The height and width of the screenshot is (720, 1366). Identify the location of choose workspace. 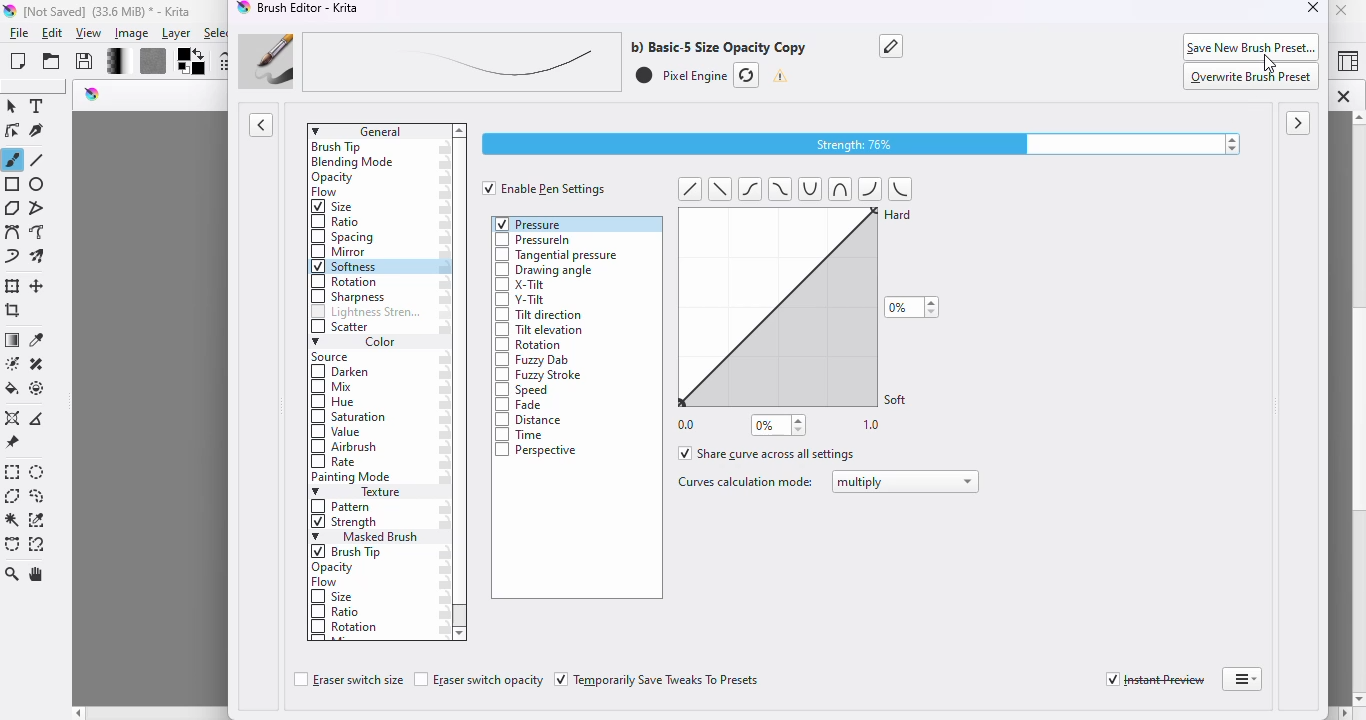
(1347, 63).